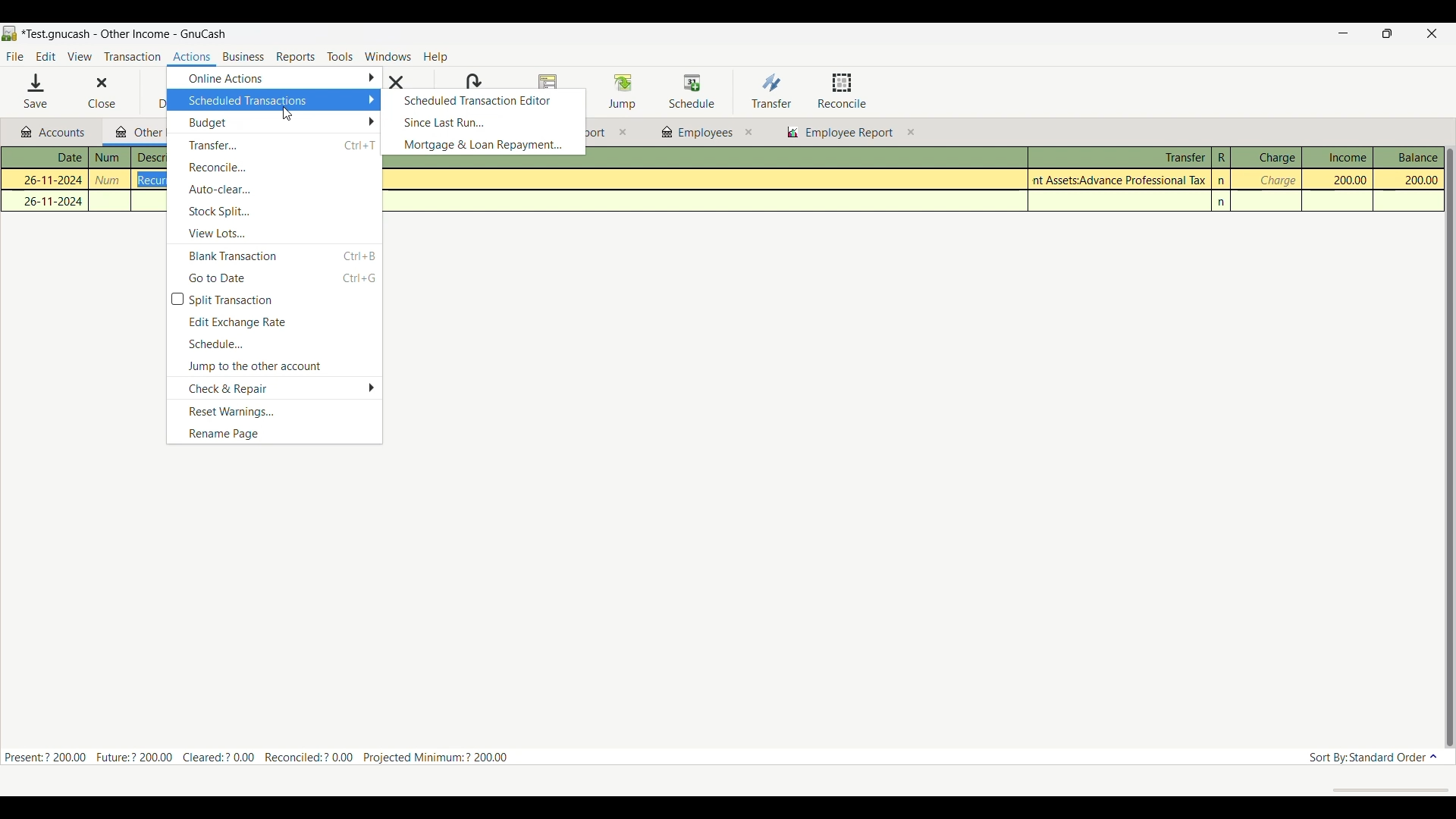  Describe the element at coordinates (274, 412) in the screenshot. I see `Reset warnings` at that location.